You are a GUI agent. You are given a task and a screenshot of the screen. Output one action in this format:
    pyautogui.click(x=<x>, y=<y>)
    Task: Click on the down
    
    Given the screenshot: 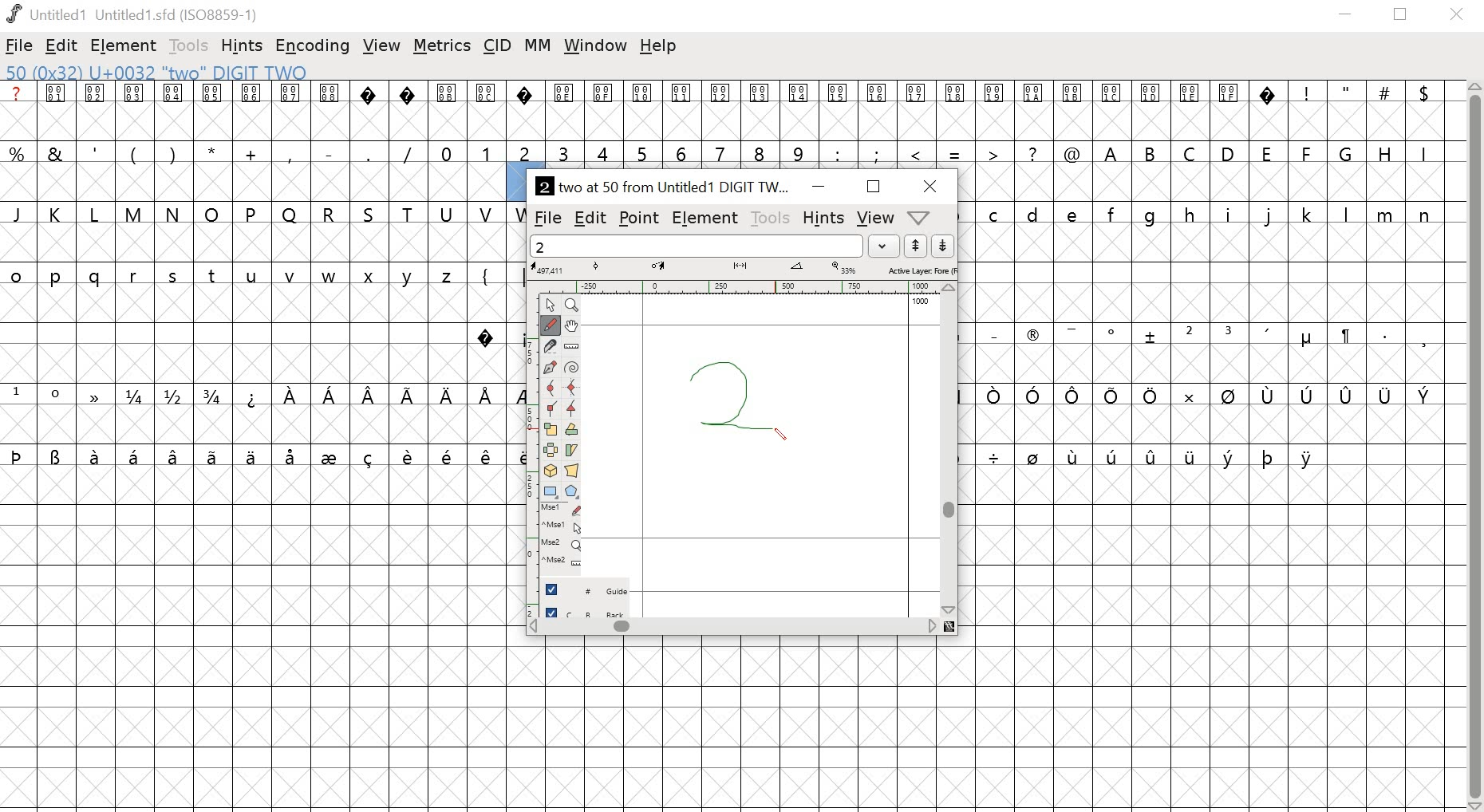 What is the action you would take?
    pyautogui.click(x=943, y=246)
    